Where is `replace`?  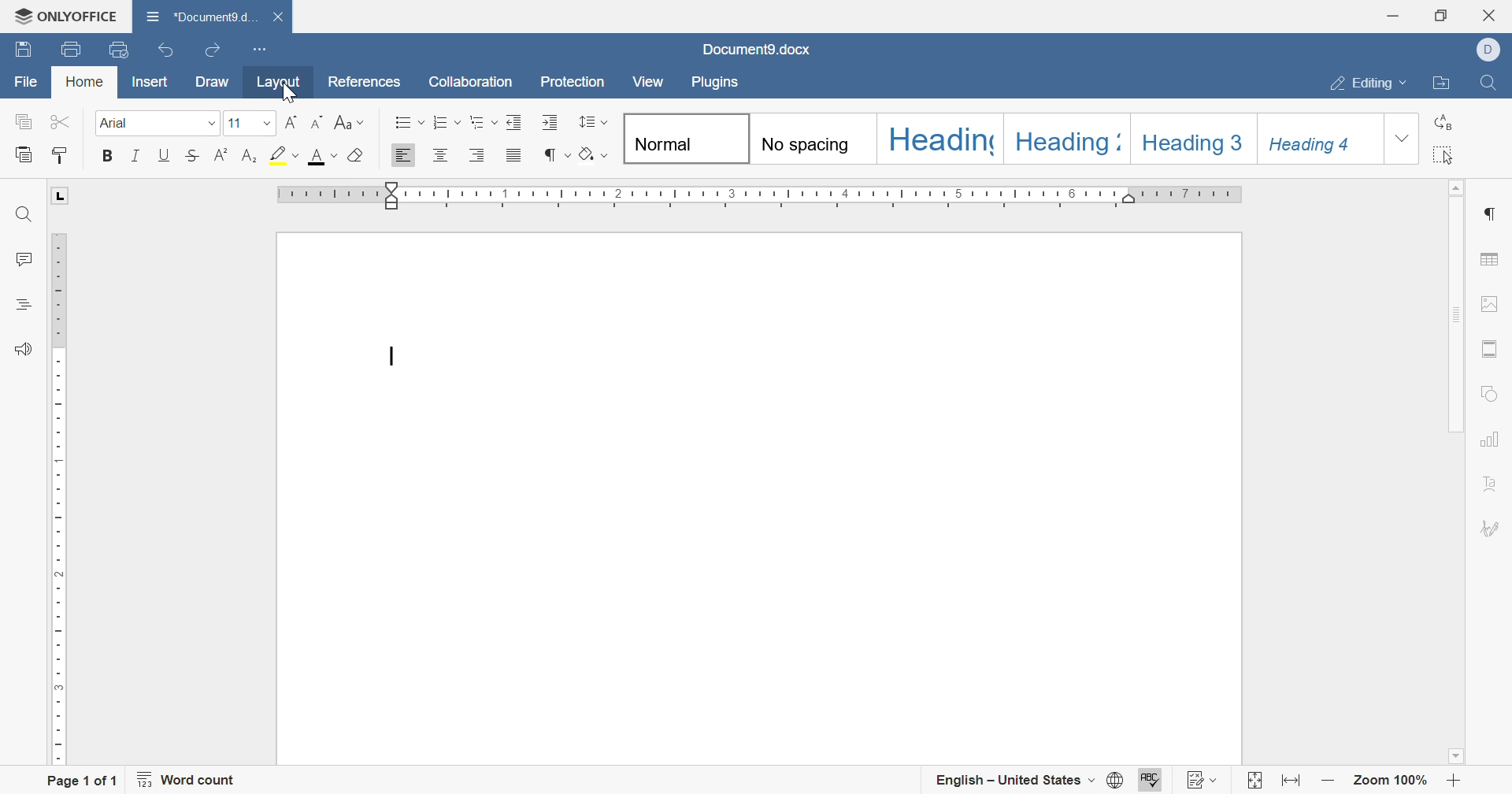 replace is located at coordinates (1445, 123).